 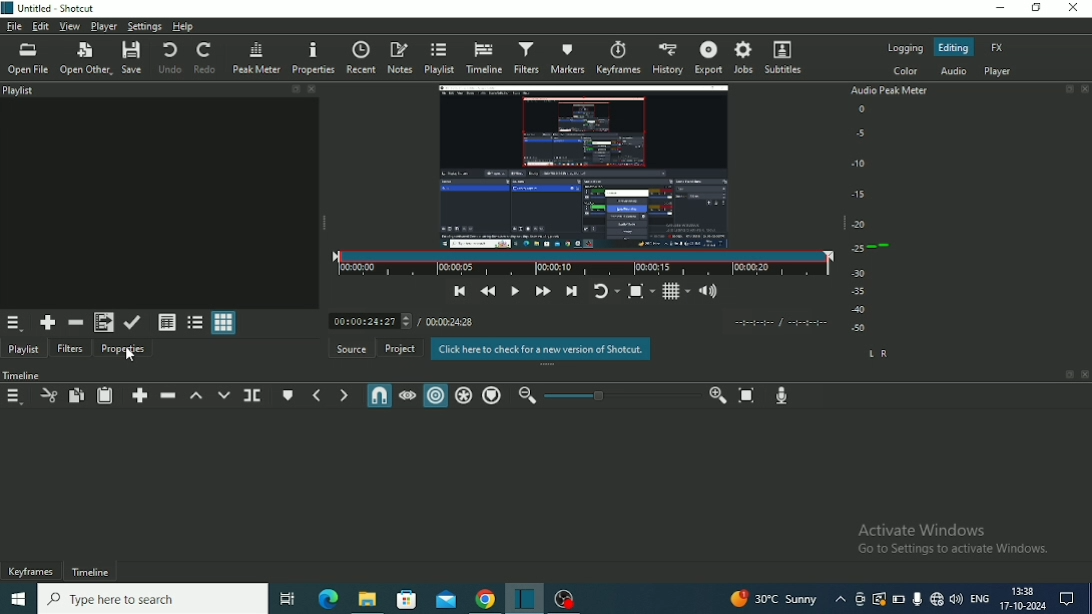 I want to click on Save, so click(x=133, y=57).